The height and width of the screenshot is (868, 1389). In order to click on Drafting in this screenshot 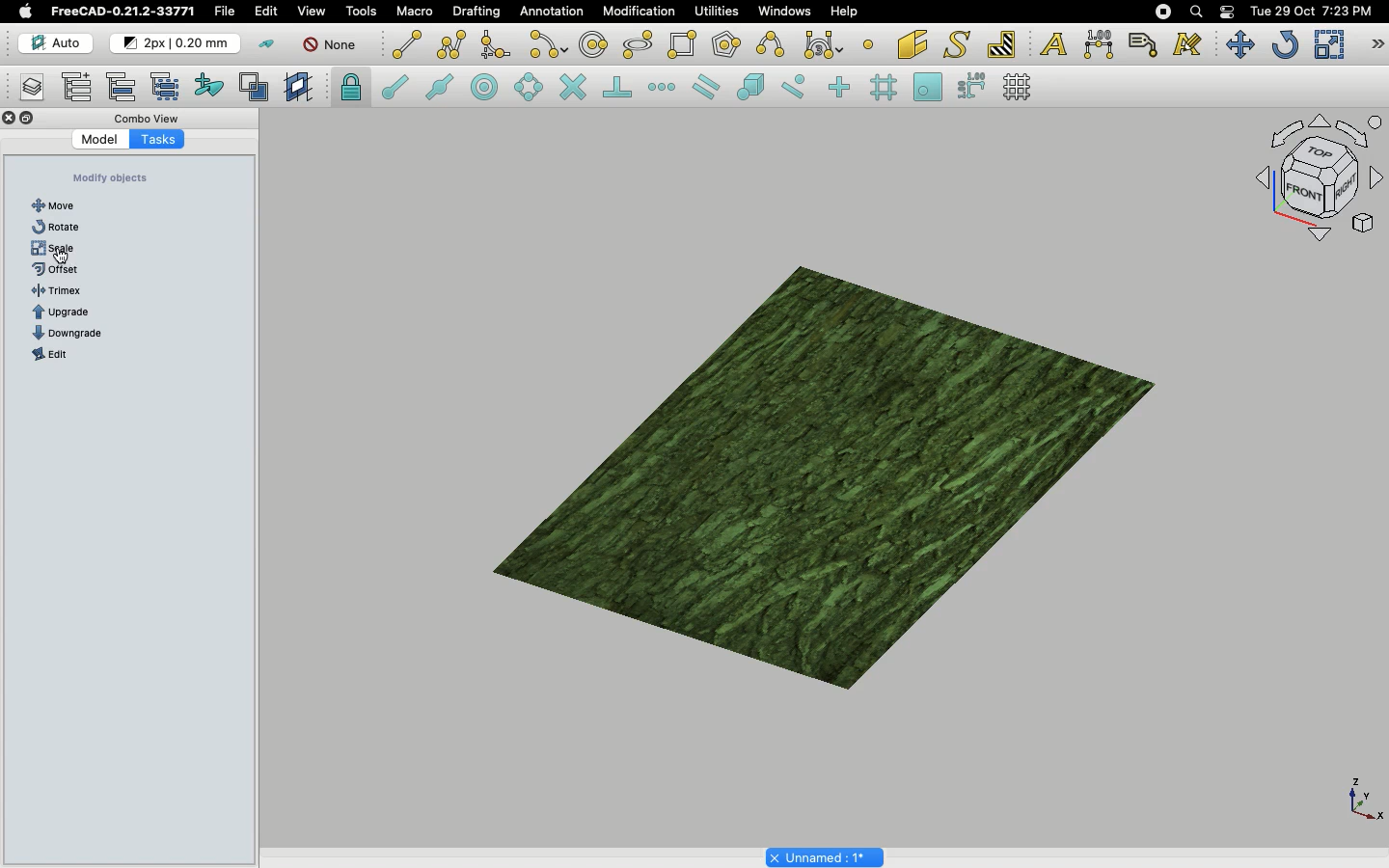, I will do `click(477, 13)`.